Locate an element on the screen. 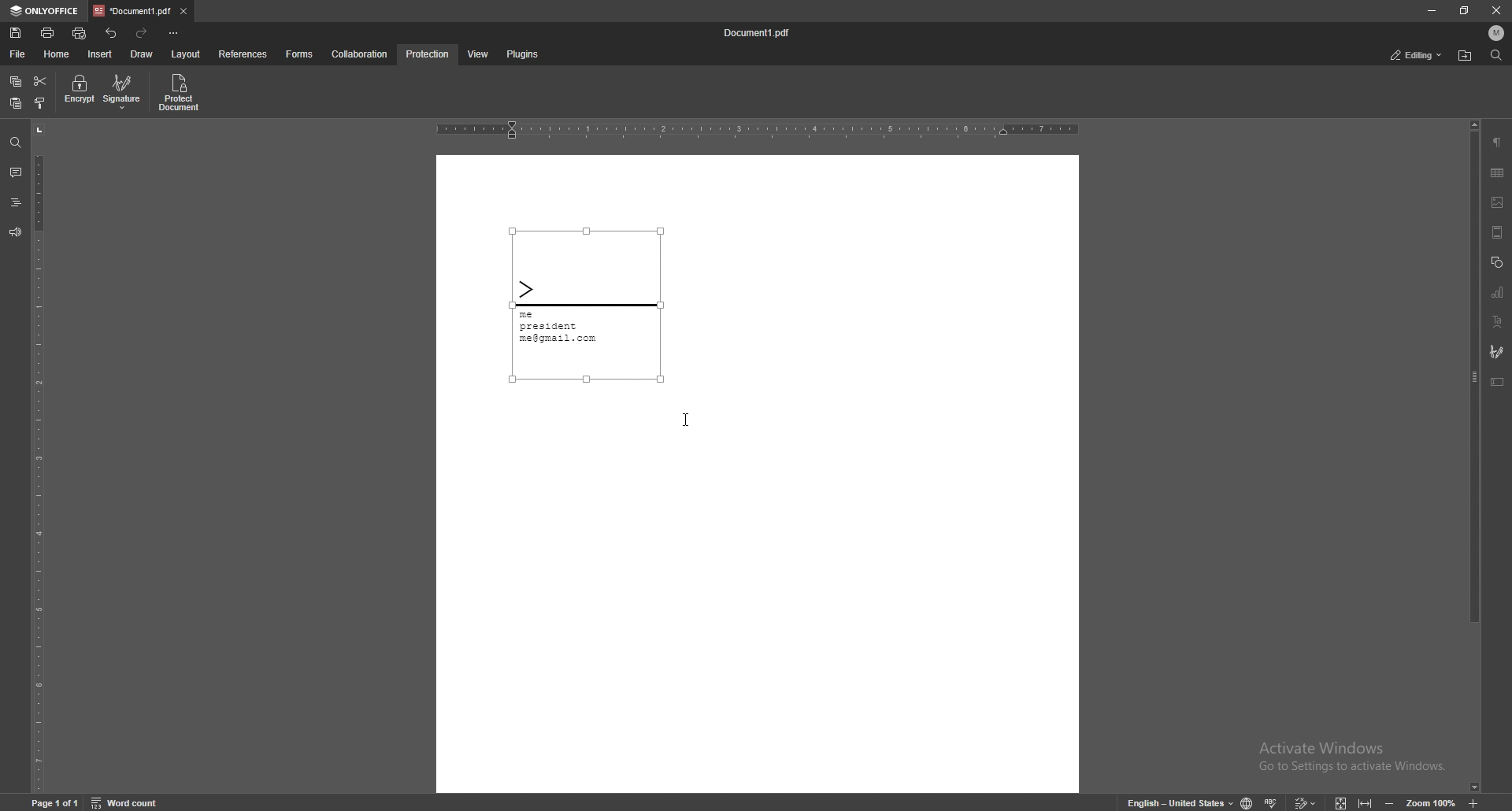 This screenshot has height=811, width=1512. quick print is located at coordinates (80, 35).